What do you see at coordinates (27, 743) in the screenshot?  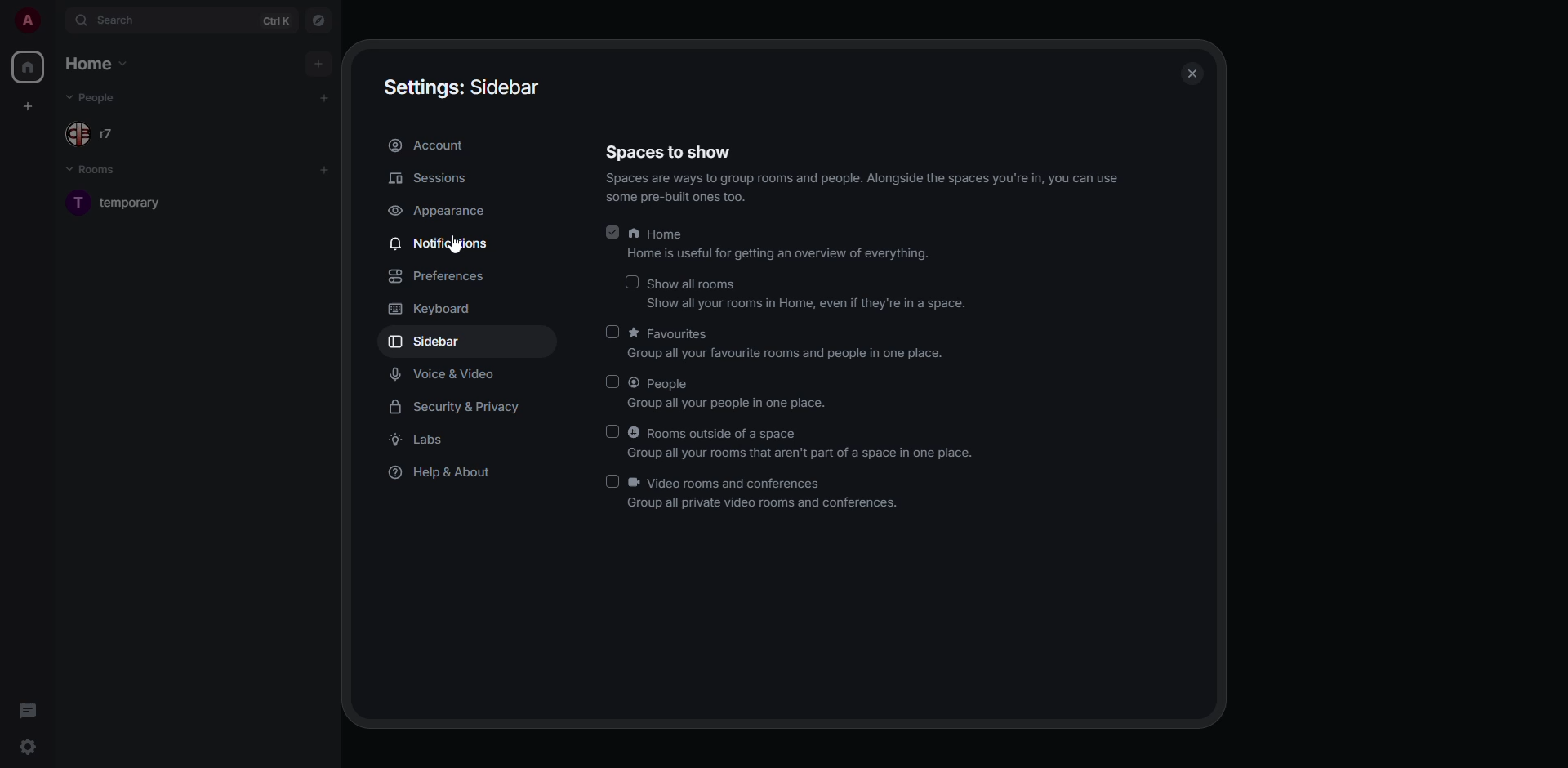 I see `quick settings` at bounding box center [27, 743].